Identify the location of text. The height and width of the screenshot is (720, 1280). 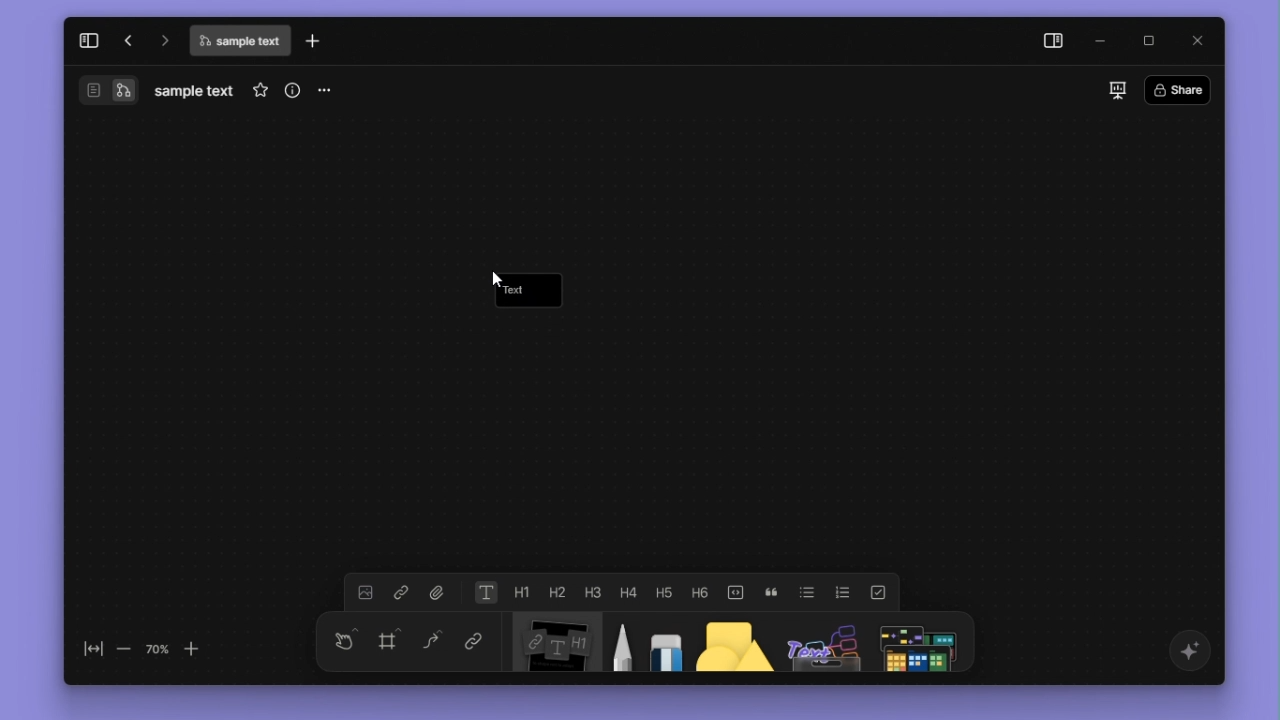
(517, 291).